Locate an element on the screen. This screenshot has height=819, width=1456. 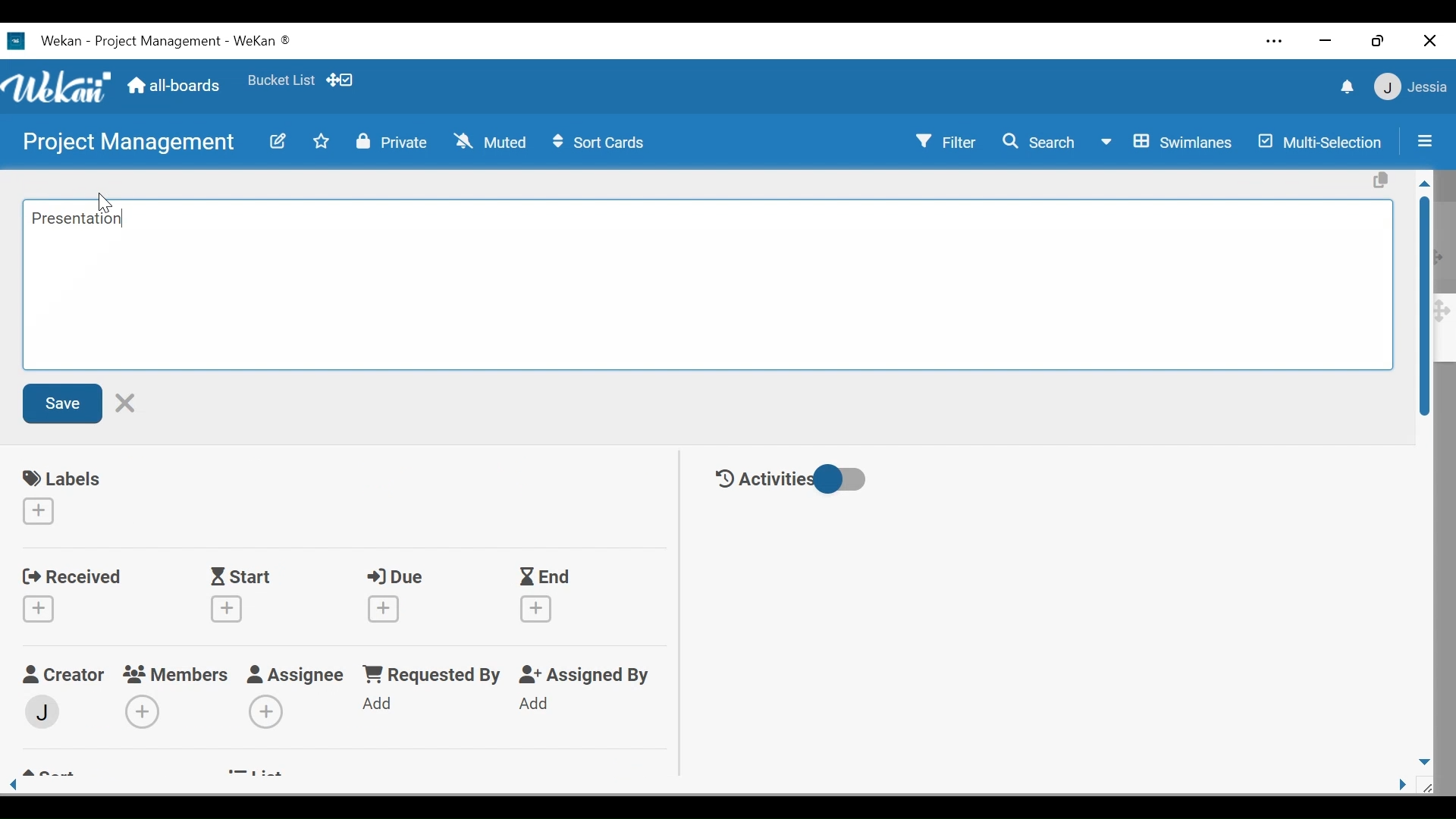
Start Date is located at coordinates (243, 576).